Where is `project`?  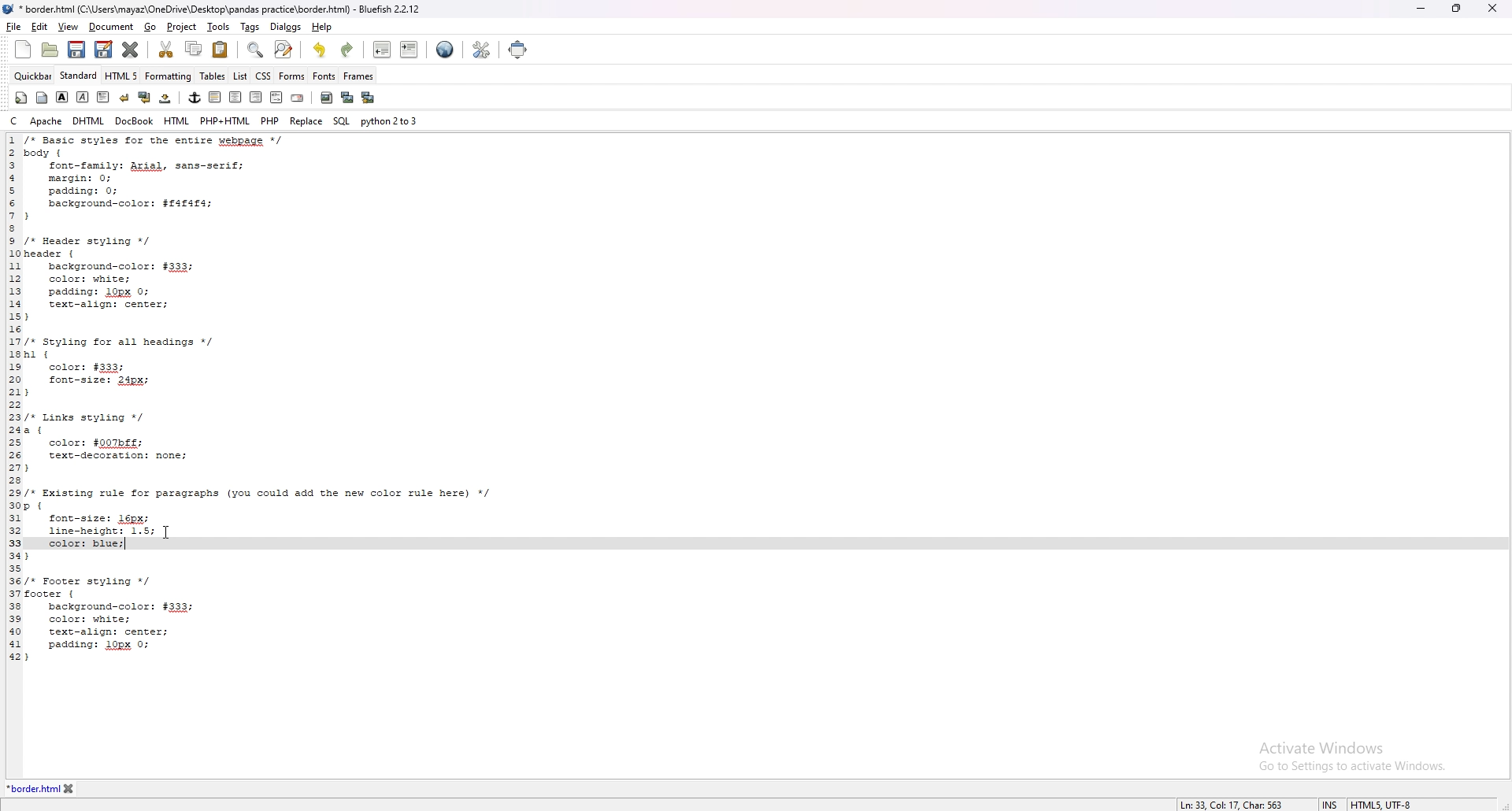 project is located at coordinates (180, 28).